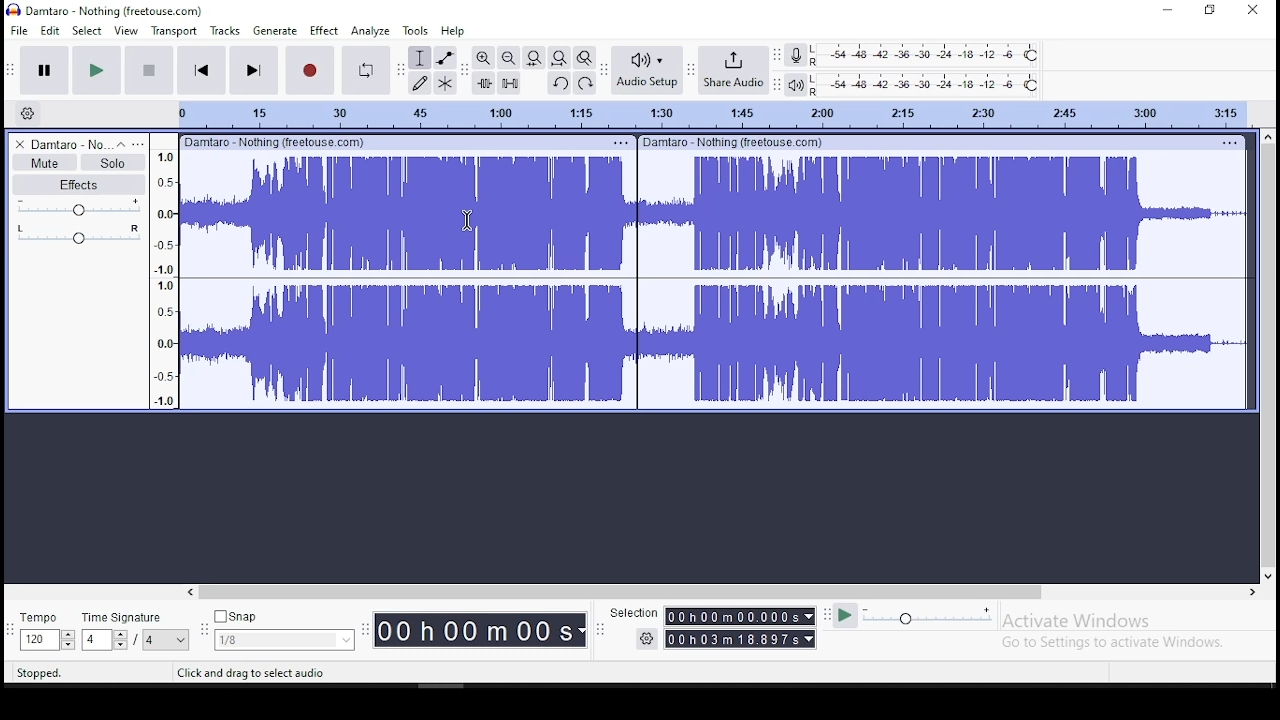 Image resolution: width=1280 pixels, height=720 pixels. Describe the element at coordinates (509, 83) in the screenshot. I see `silence audio selection` at that location.